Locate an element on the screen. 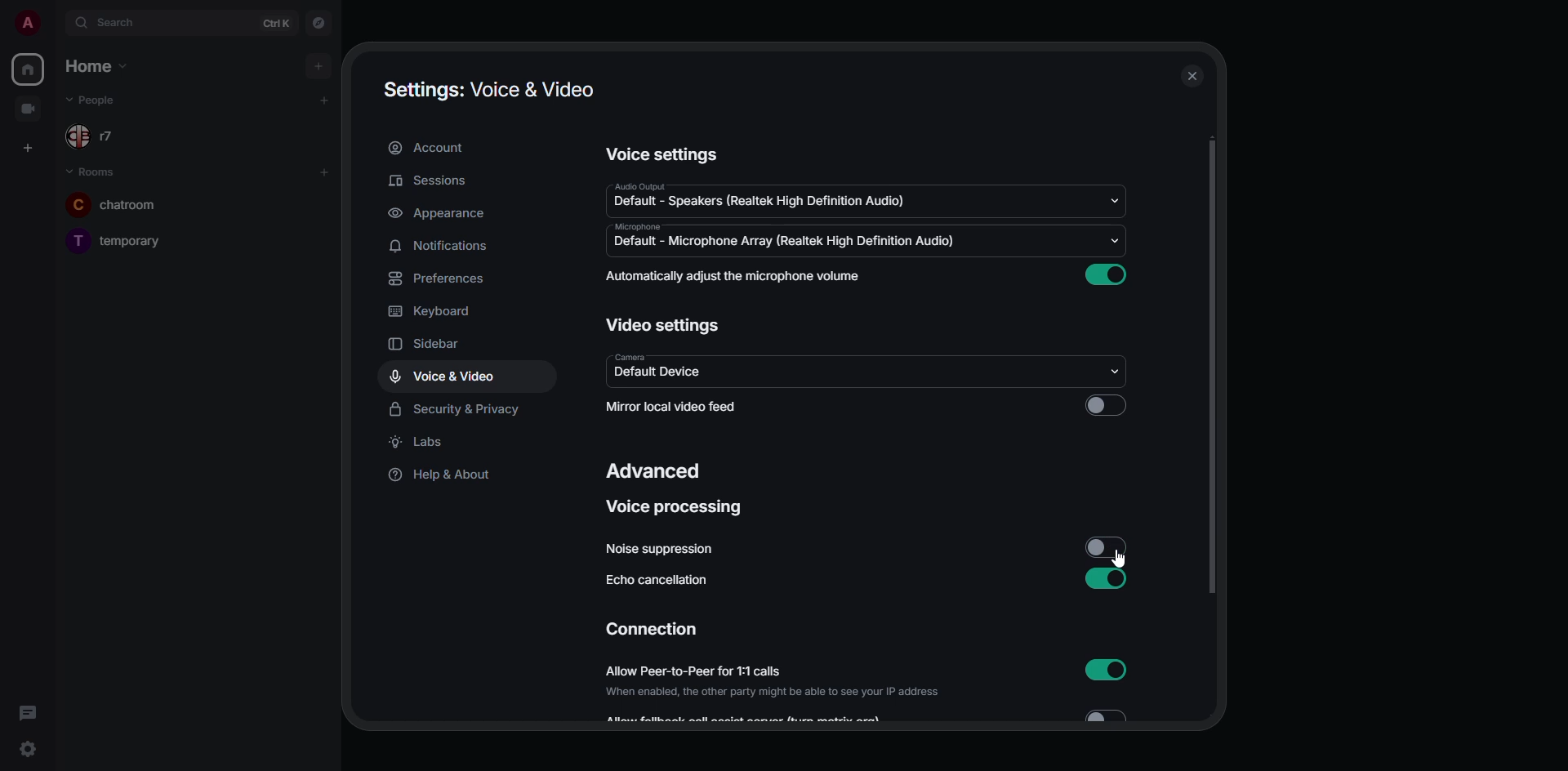 The image size is (1568, 771). echo cancellation is located at coordinates (654, 581).